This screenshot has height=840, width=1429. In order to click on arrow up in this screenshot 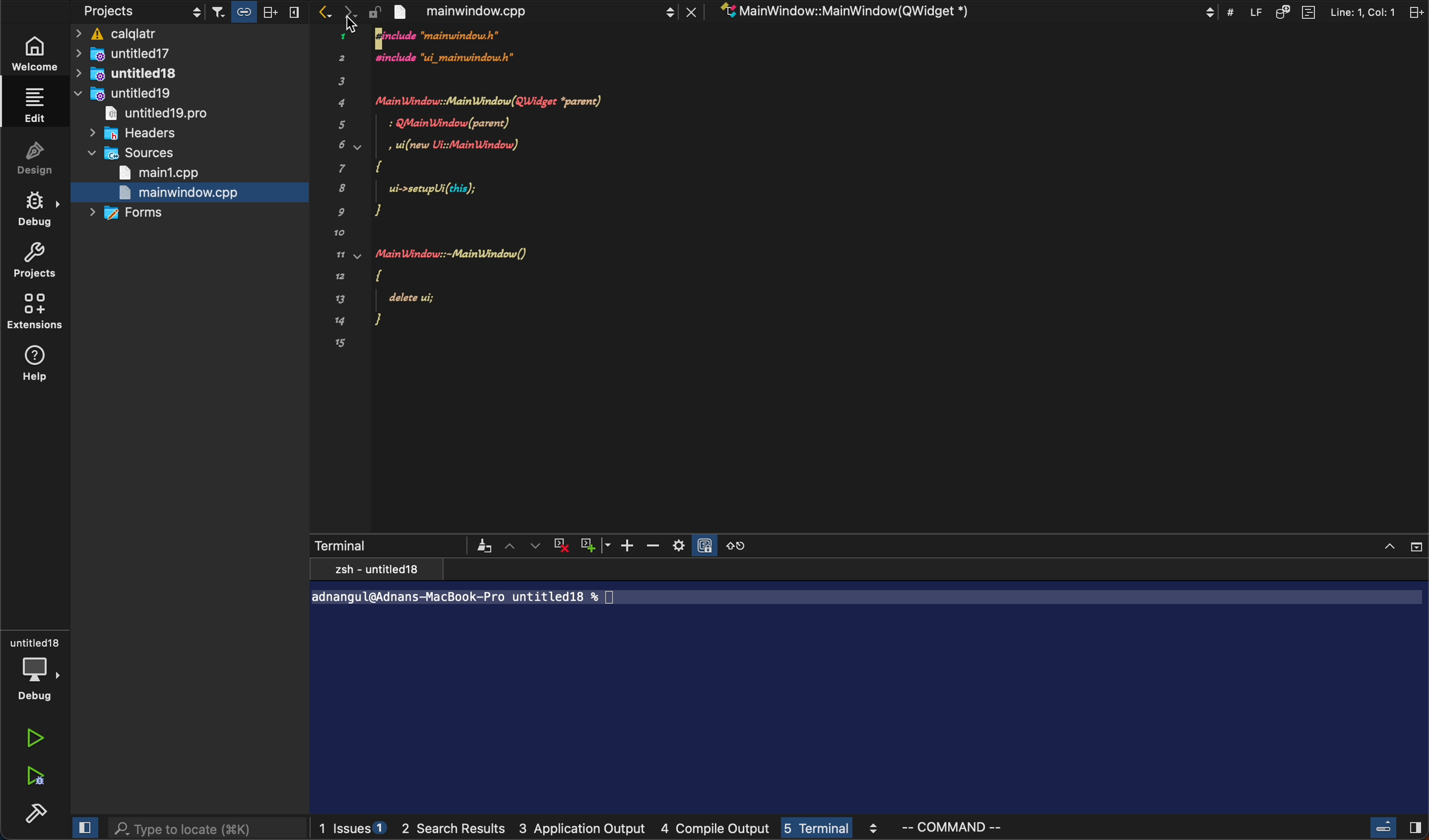, I will do `click(511, 546)`.